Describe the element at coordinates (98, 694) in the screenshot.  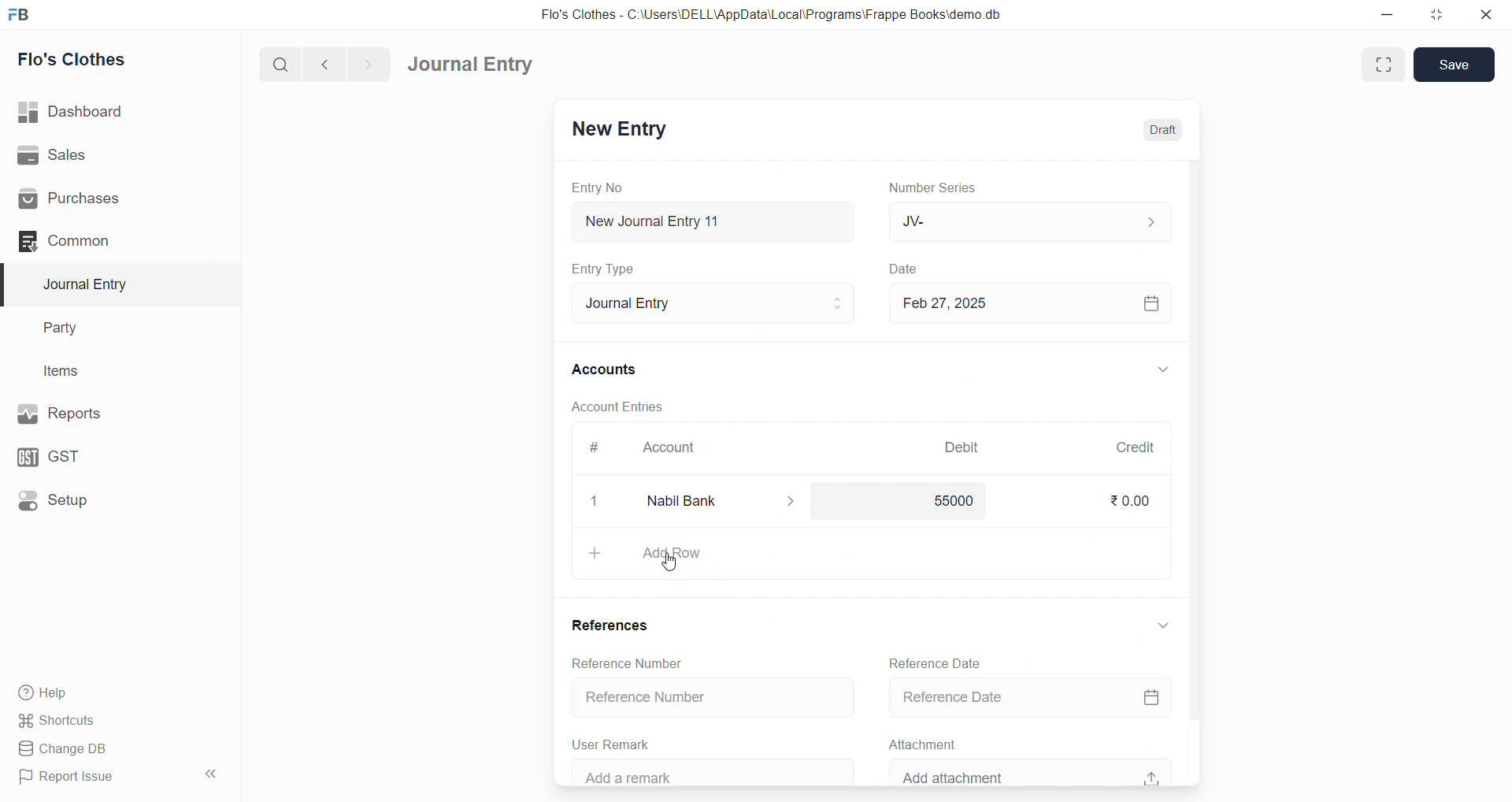
I see `Help` at that location.